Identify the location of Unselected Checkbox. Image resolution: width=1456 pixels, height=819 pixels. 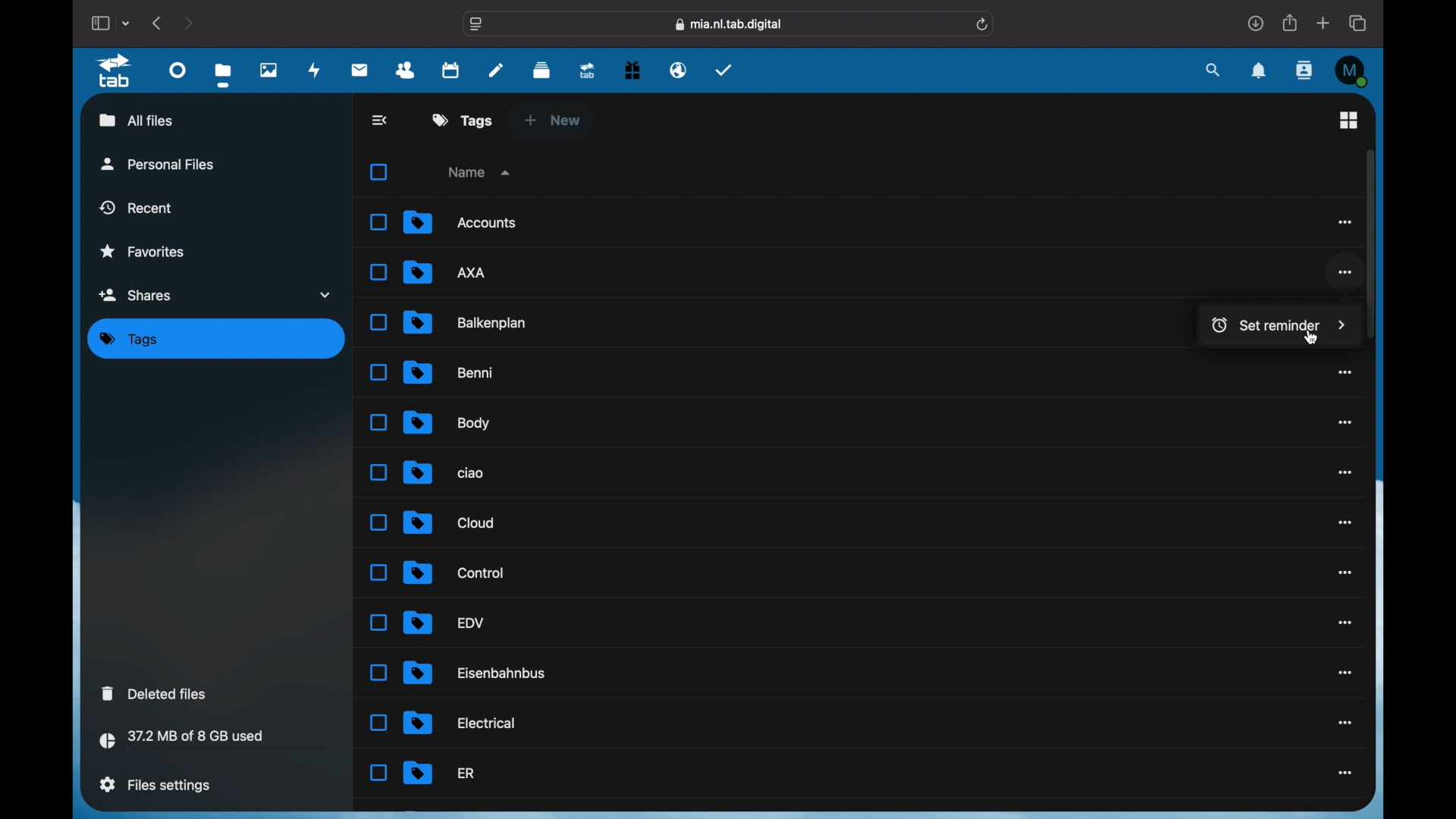
(378, 323).